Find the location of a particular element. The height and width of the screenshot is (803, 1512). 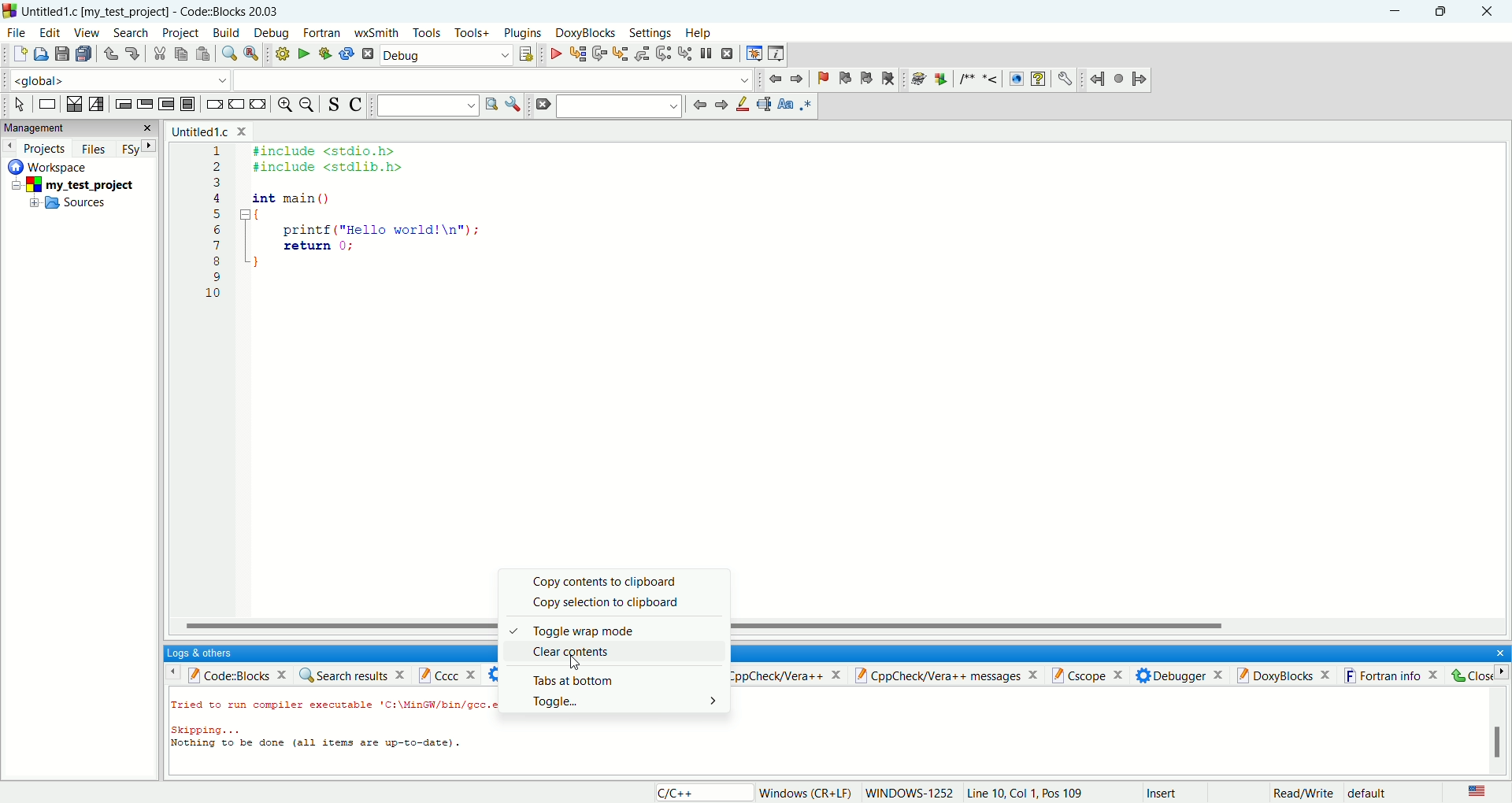

zoom in is located at coordinates (283, 105).